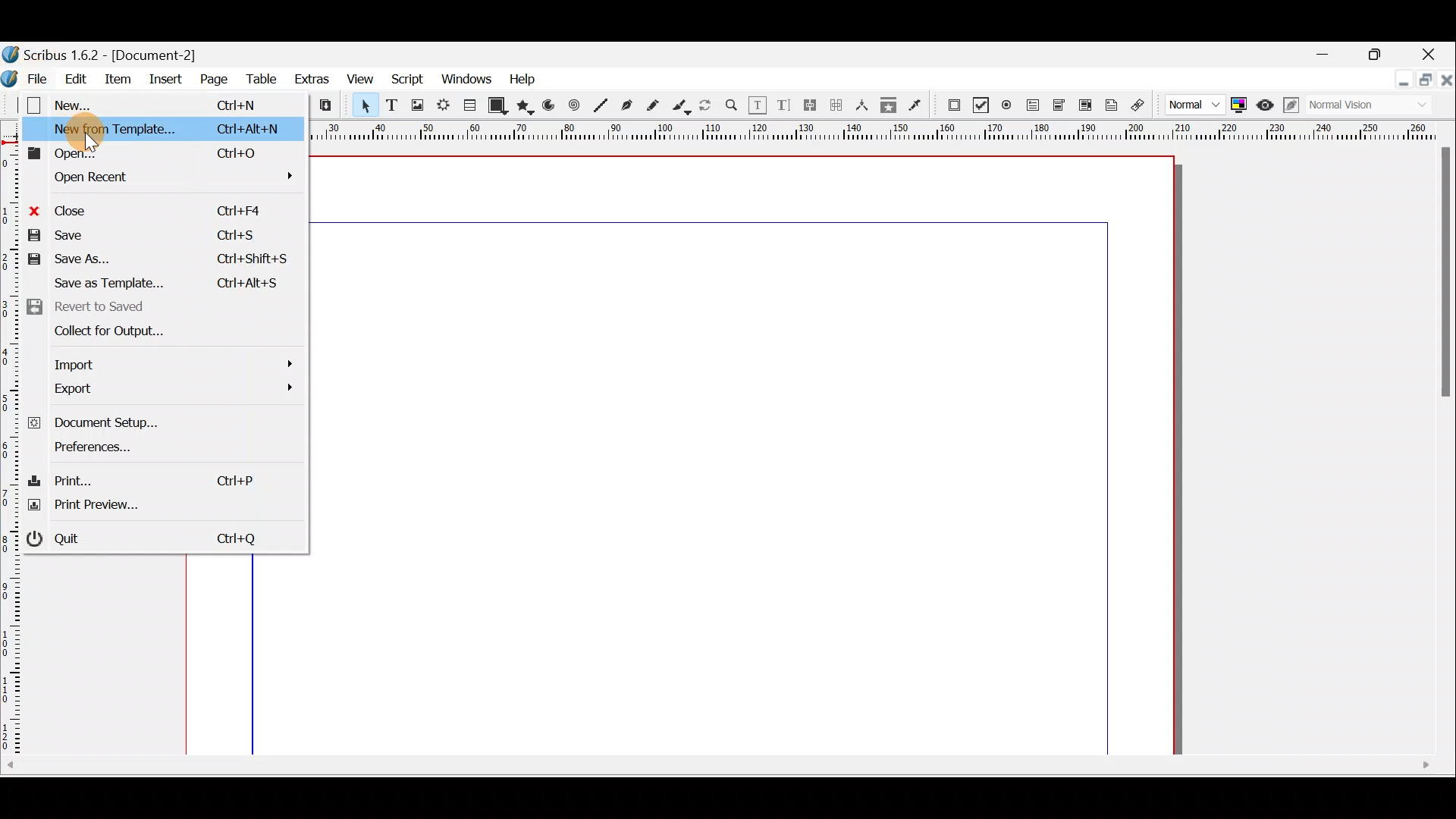 This screenshot has width=1456, height=819. Describe the element at coordinates (1187, 106) in the screenshot. I see `Image preview quality` at that location.